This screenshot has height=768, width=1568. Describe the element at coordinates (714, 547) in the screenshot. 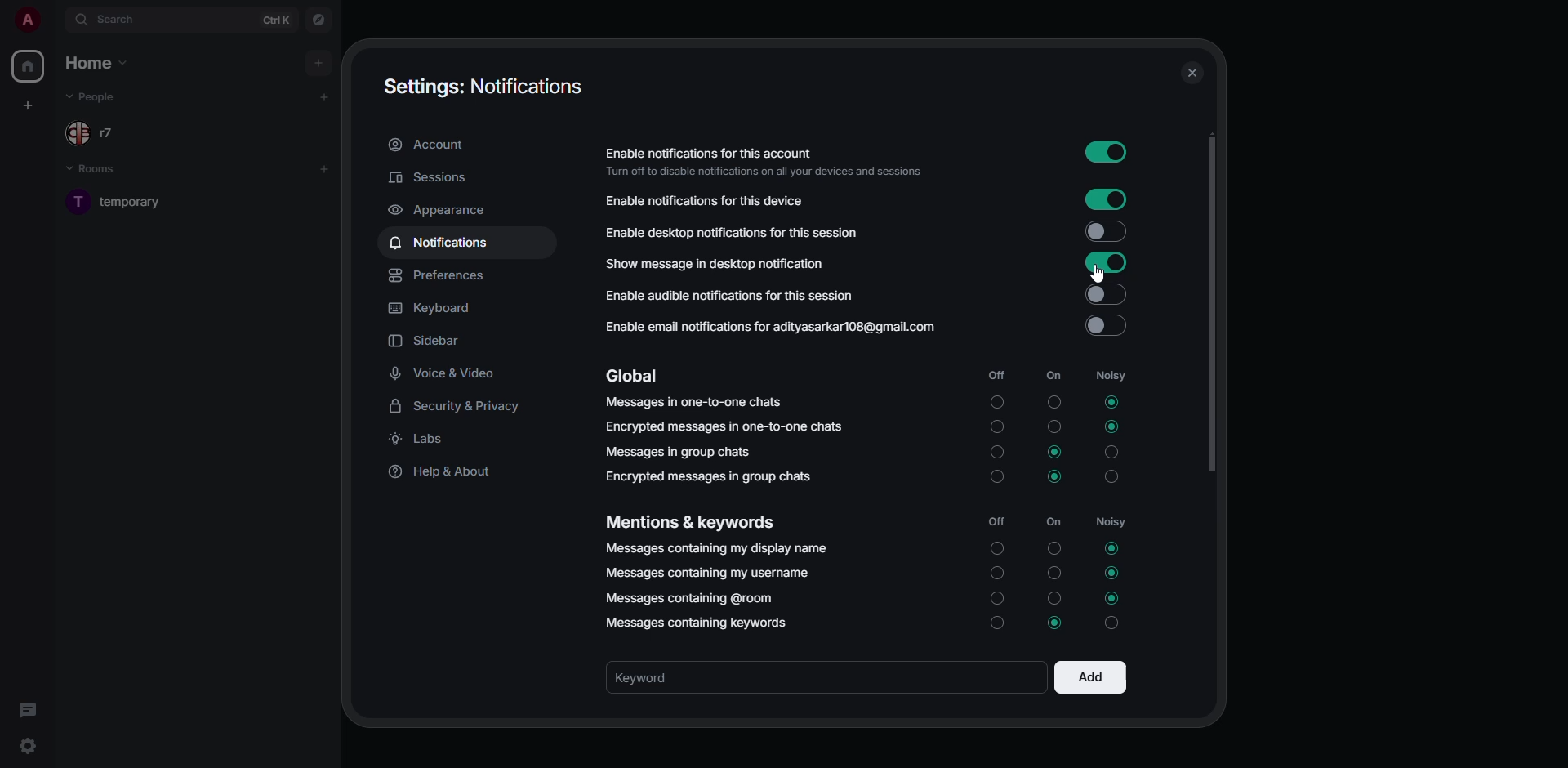

I see `messages containing name` at that location.